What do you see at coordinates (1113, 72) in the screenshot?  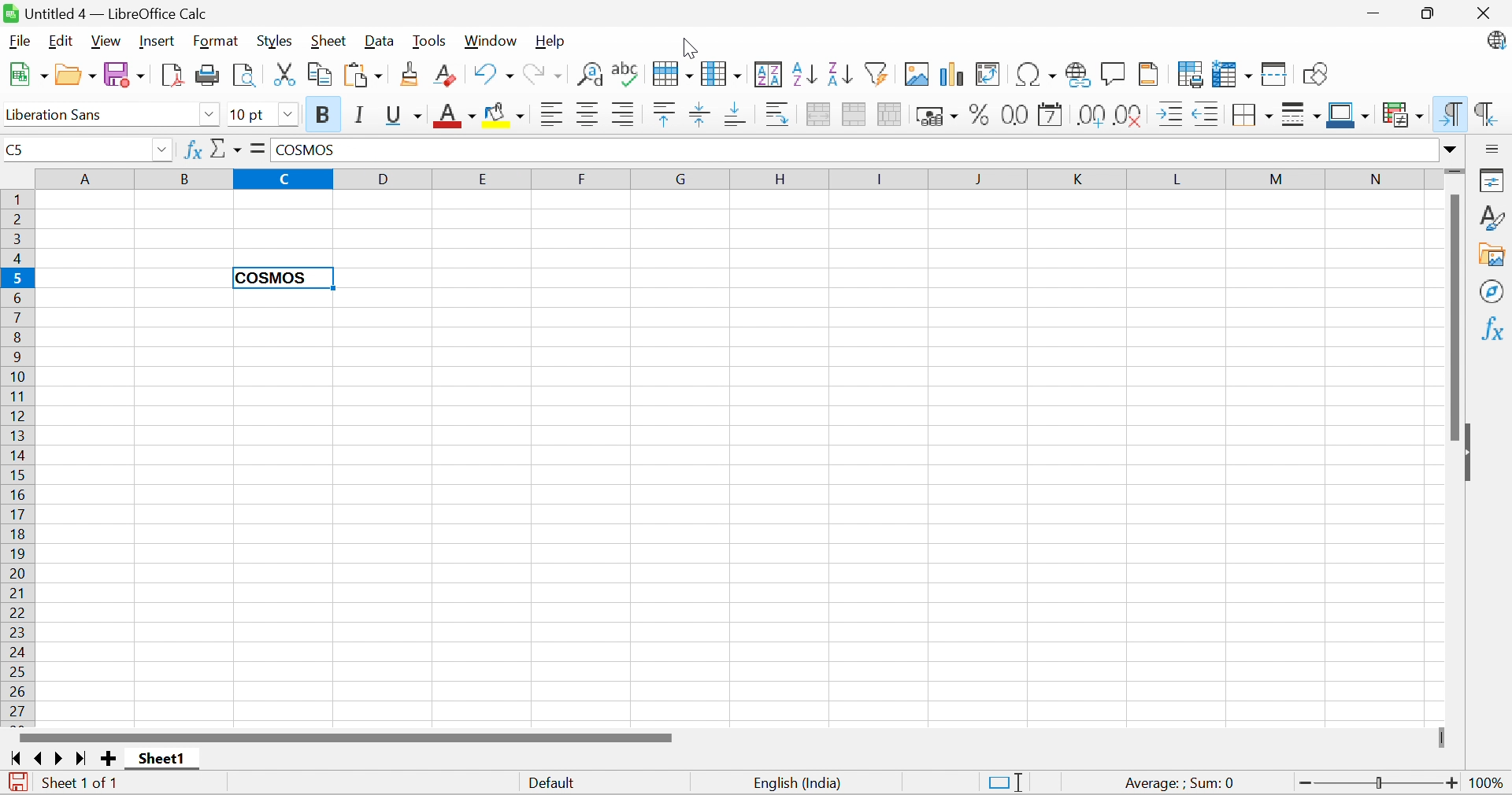 I see `Insert Comment` at bounding box center [1113, 72].